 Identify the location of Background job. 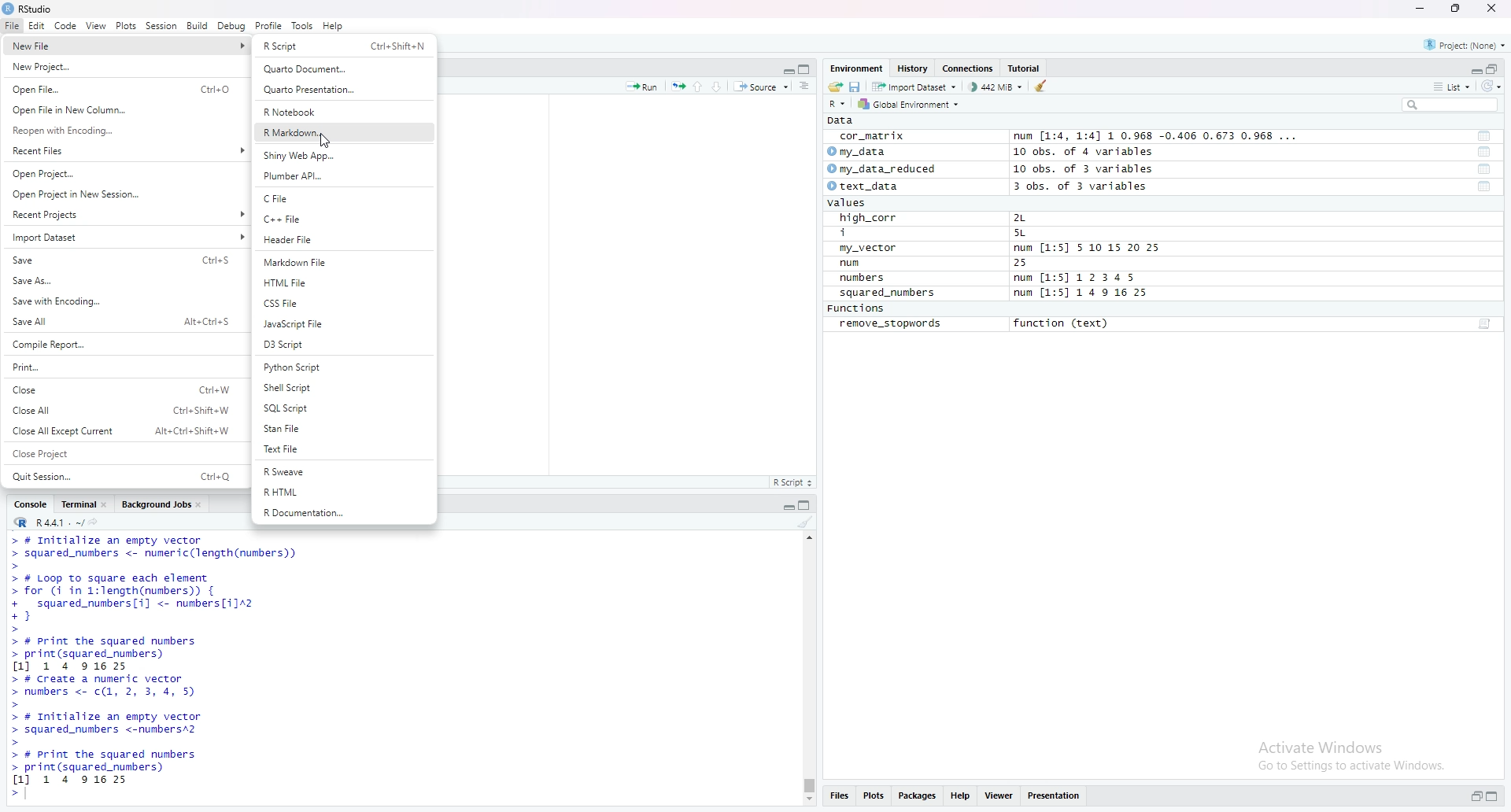
(155, 506).